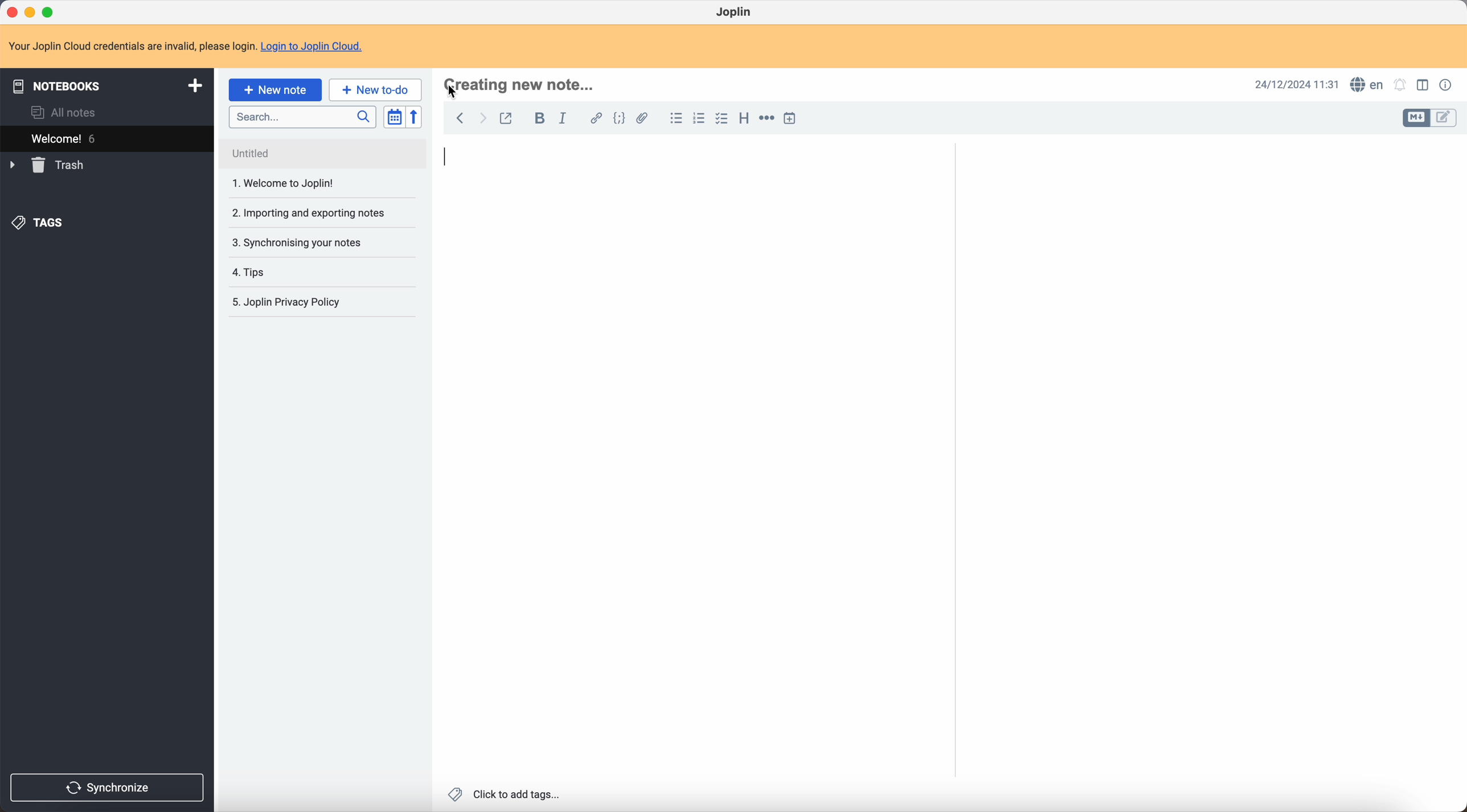  I want to click on maximize, so click(51, 10).